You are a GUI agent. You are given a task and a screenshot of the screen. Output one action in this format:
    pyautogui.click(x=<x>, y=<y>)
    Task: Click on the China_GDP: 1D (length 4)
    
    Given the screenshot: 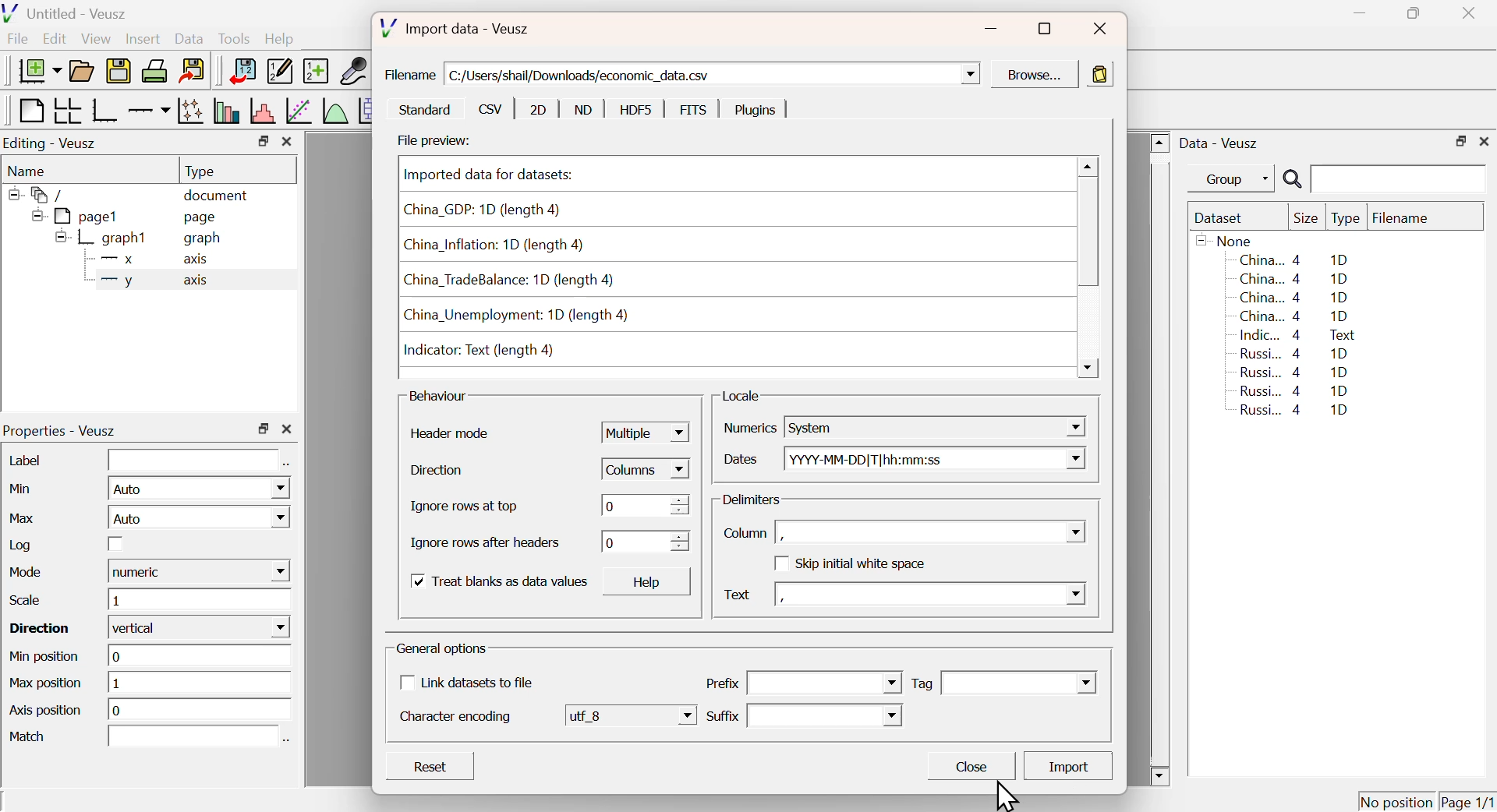 What is the action you would take?
    pyautogui.click(x=490, y=210)
    